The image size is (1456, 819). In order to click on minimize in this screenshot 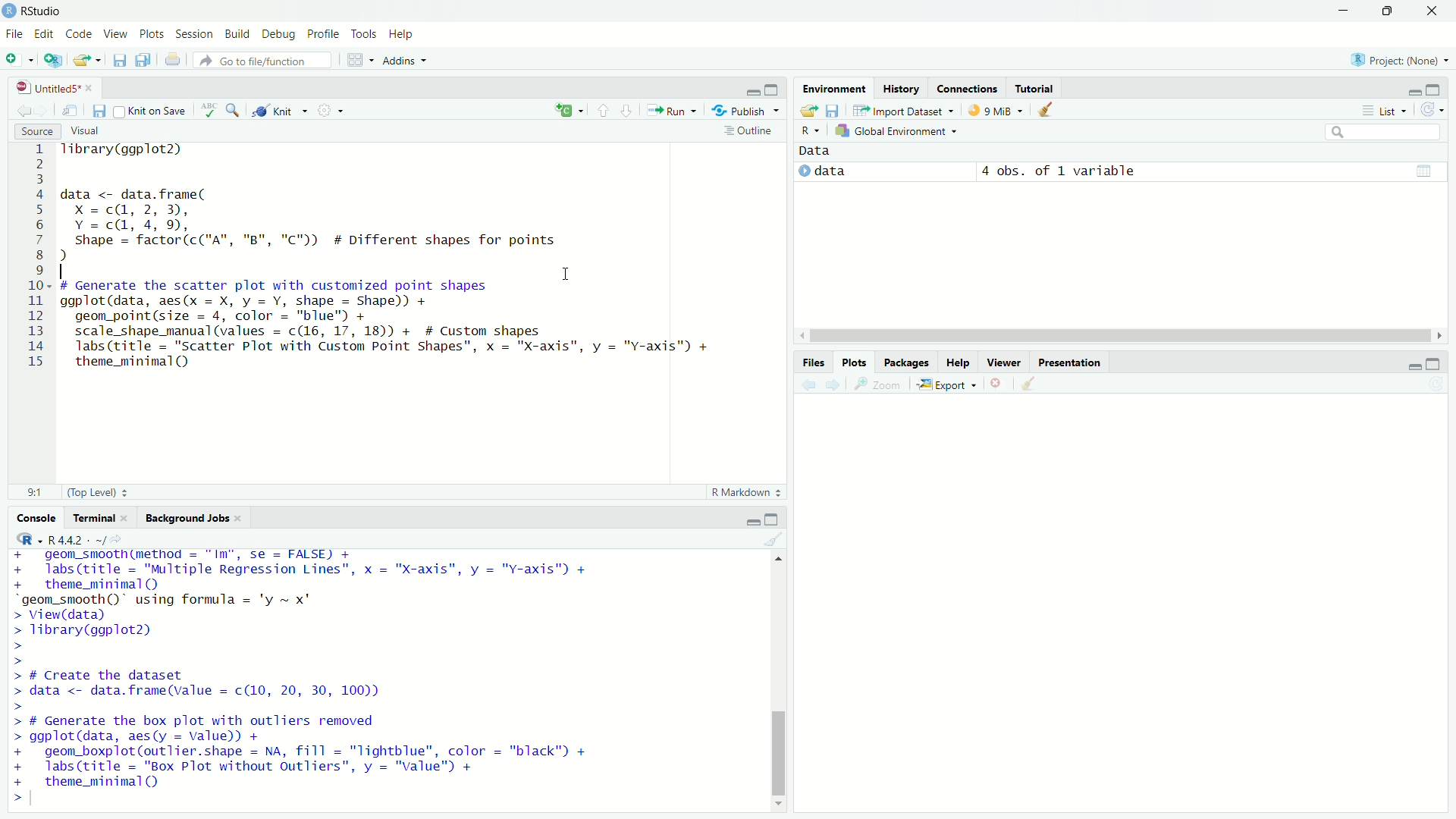, I will do `click(752, 92)`.